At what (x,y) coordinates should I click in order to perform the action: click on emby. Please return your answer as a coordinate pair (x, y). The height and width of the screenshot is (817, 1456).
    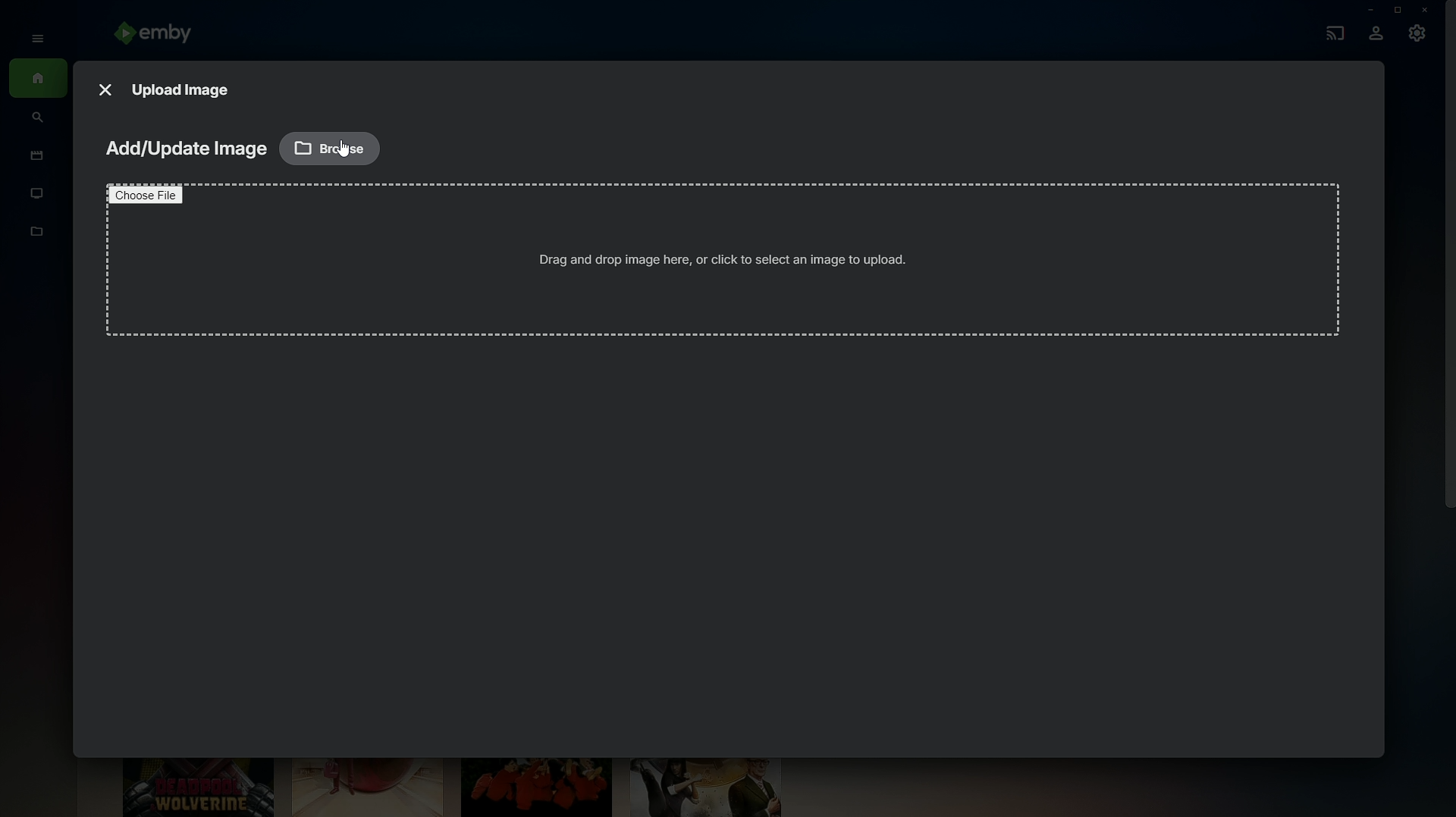
    Looking at the image, I should click on (159, 35).